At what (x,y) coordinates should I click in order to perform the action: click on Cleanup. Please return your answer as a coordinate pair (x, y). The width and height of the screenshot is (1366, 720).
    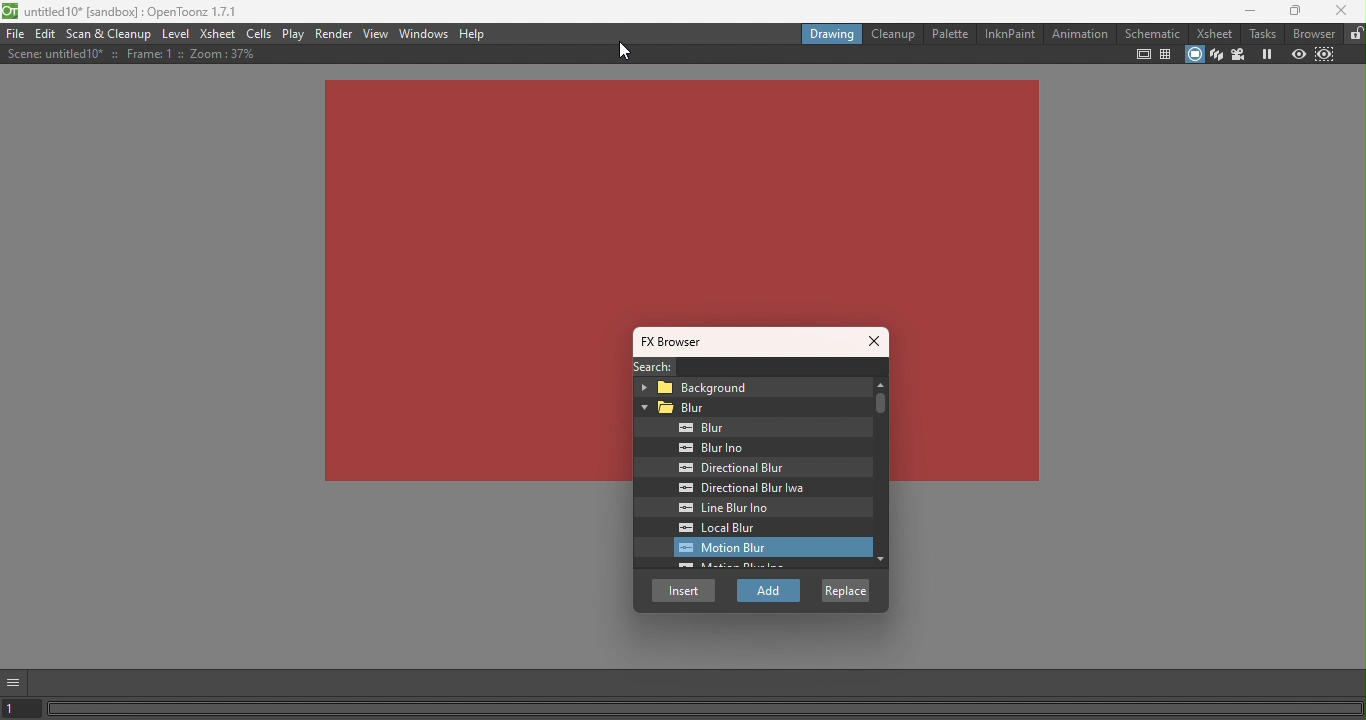
    Looking at the image, I should click on (892, 33).